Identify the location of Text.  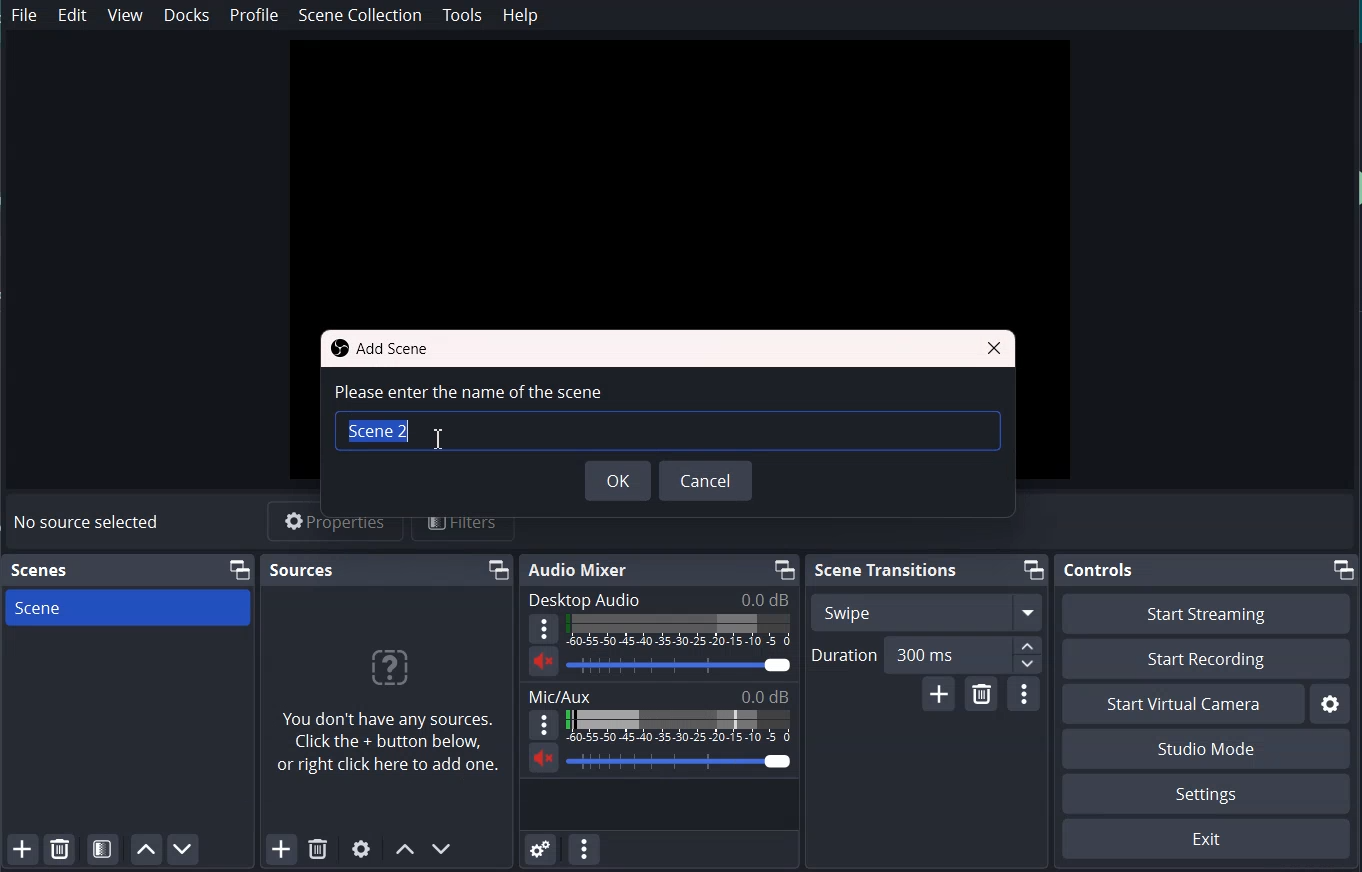
(383, 349).